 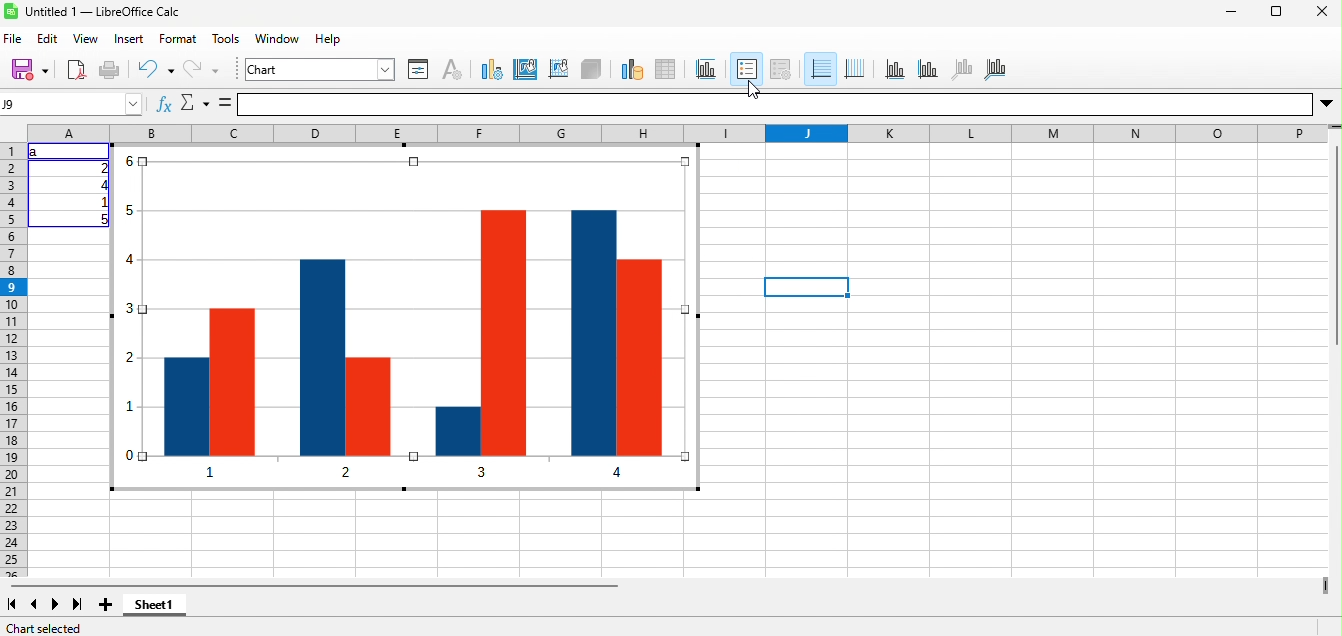 What do you see at coordinates (491, 70) in the screenshot?
I see `chart type` at bounding box center [491, 70].